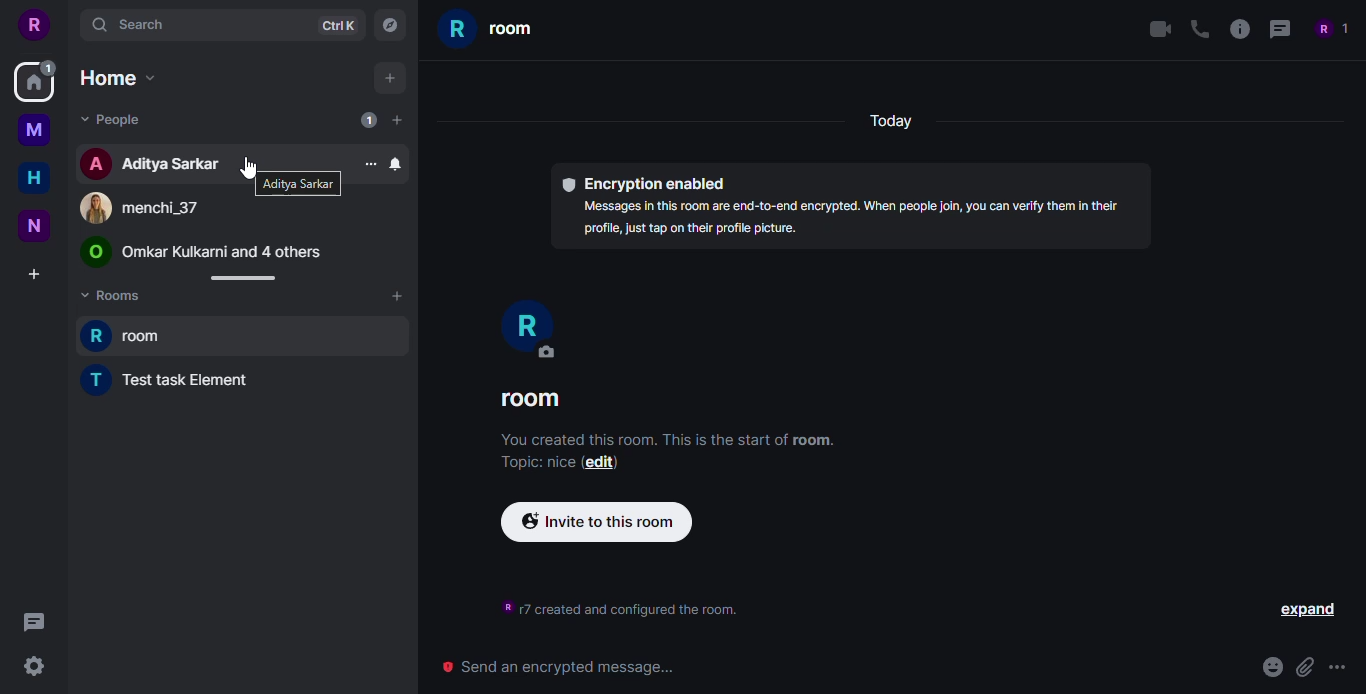 This screenshot has height=694, width=1366. I want to click on new, so click(33, 226).